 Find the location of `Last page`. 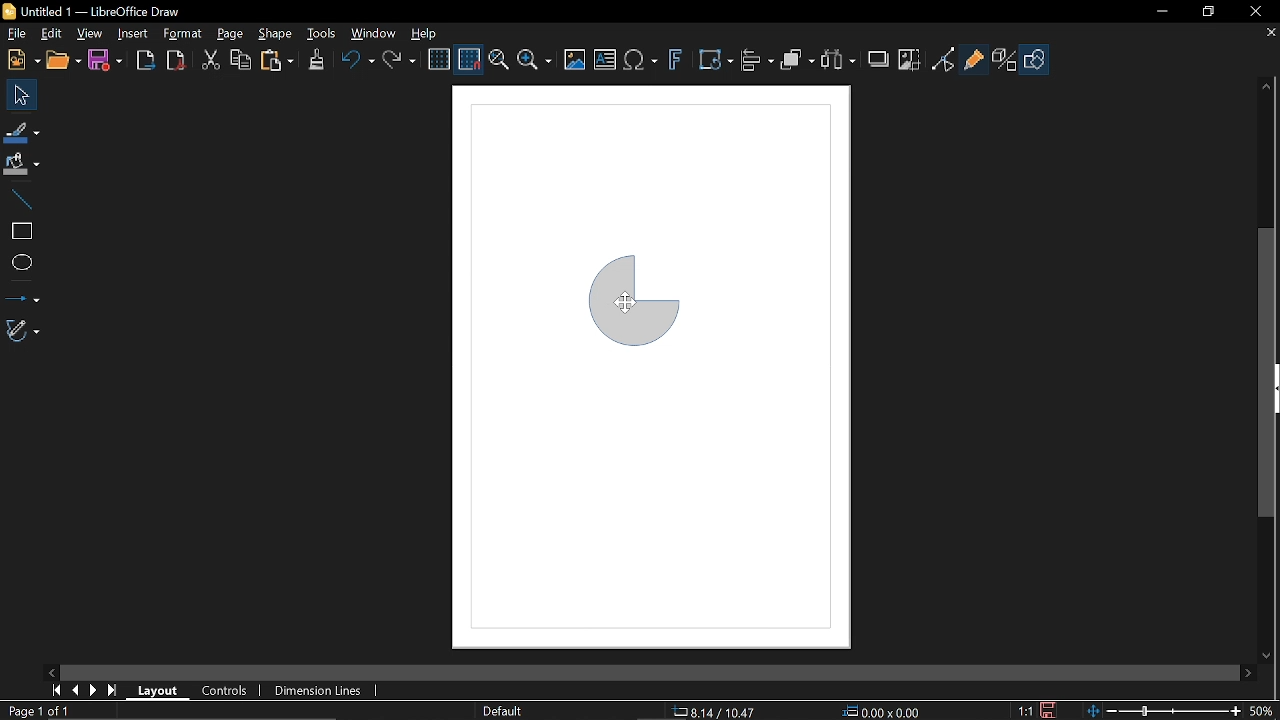

Last page is located at coordinates (112, 691).